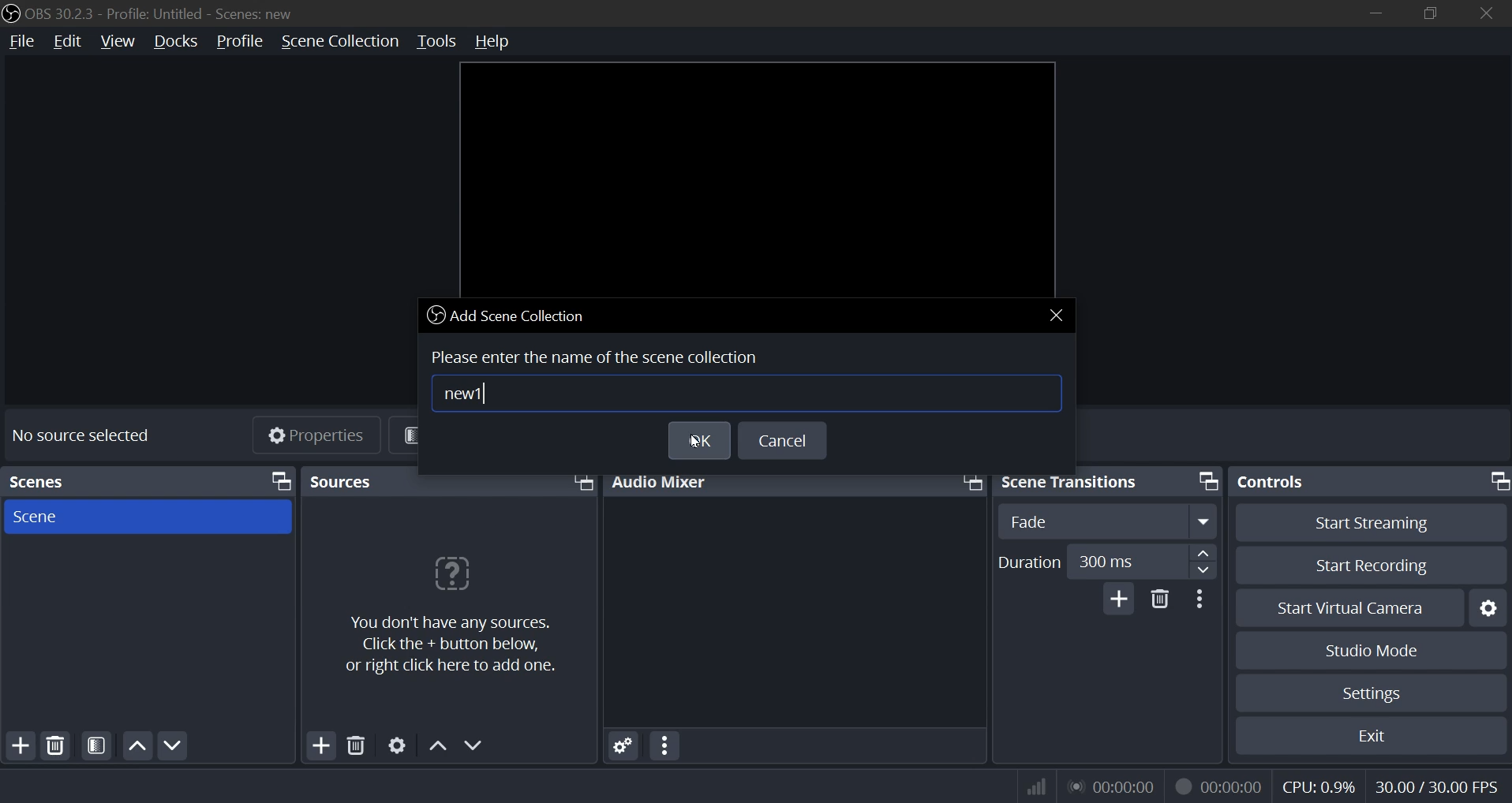 The height and width of the screenshot is (803, 1512). What do you see at coordinates (1204, 521) in the screenshot?
I see `expand` at bounding box center [1204, 521].